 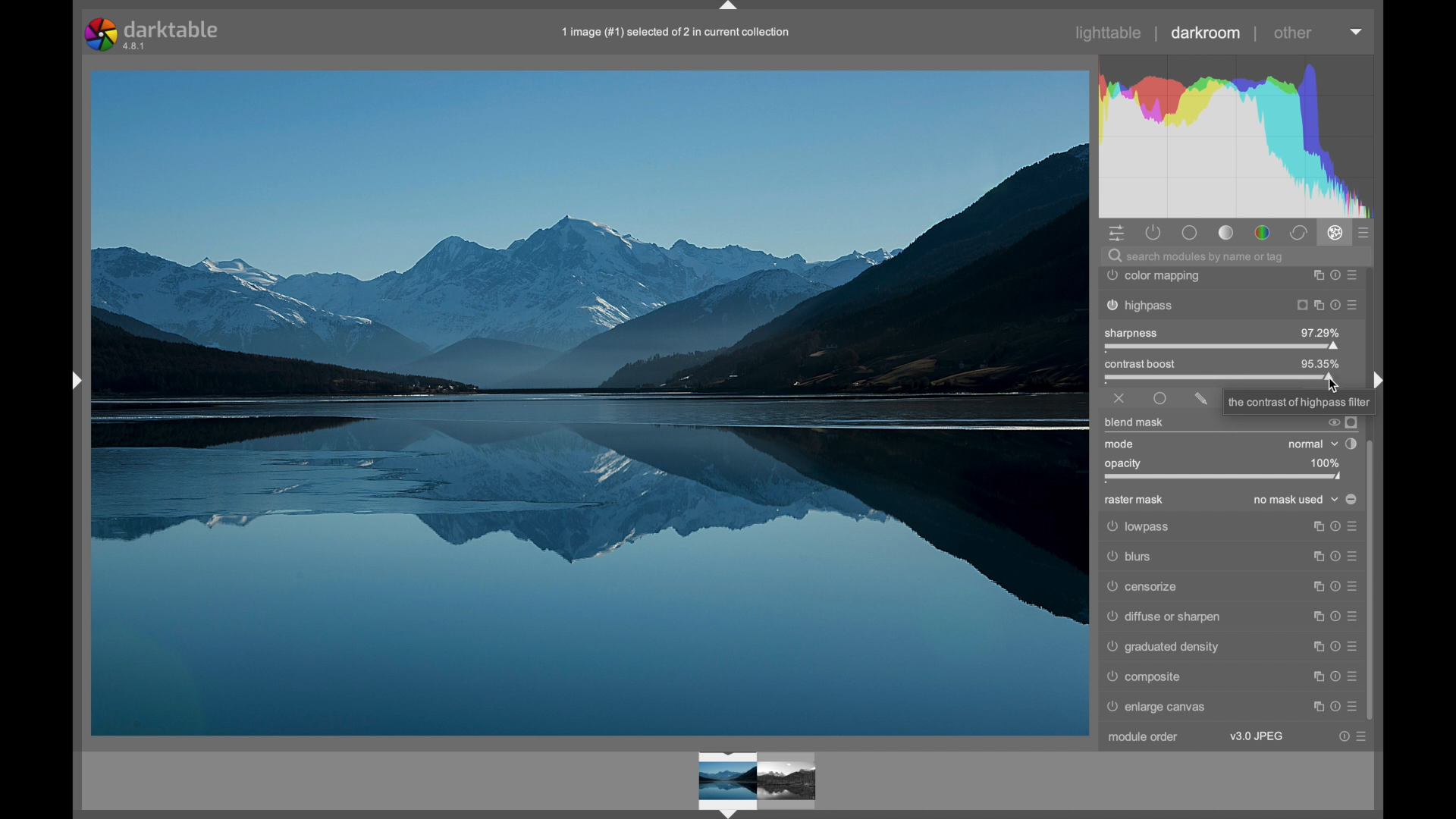 I want to click on slider, so click(x=1224, y=477).